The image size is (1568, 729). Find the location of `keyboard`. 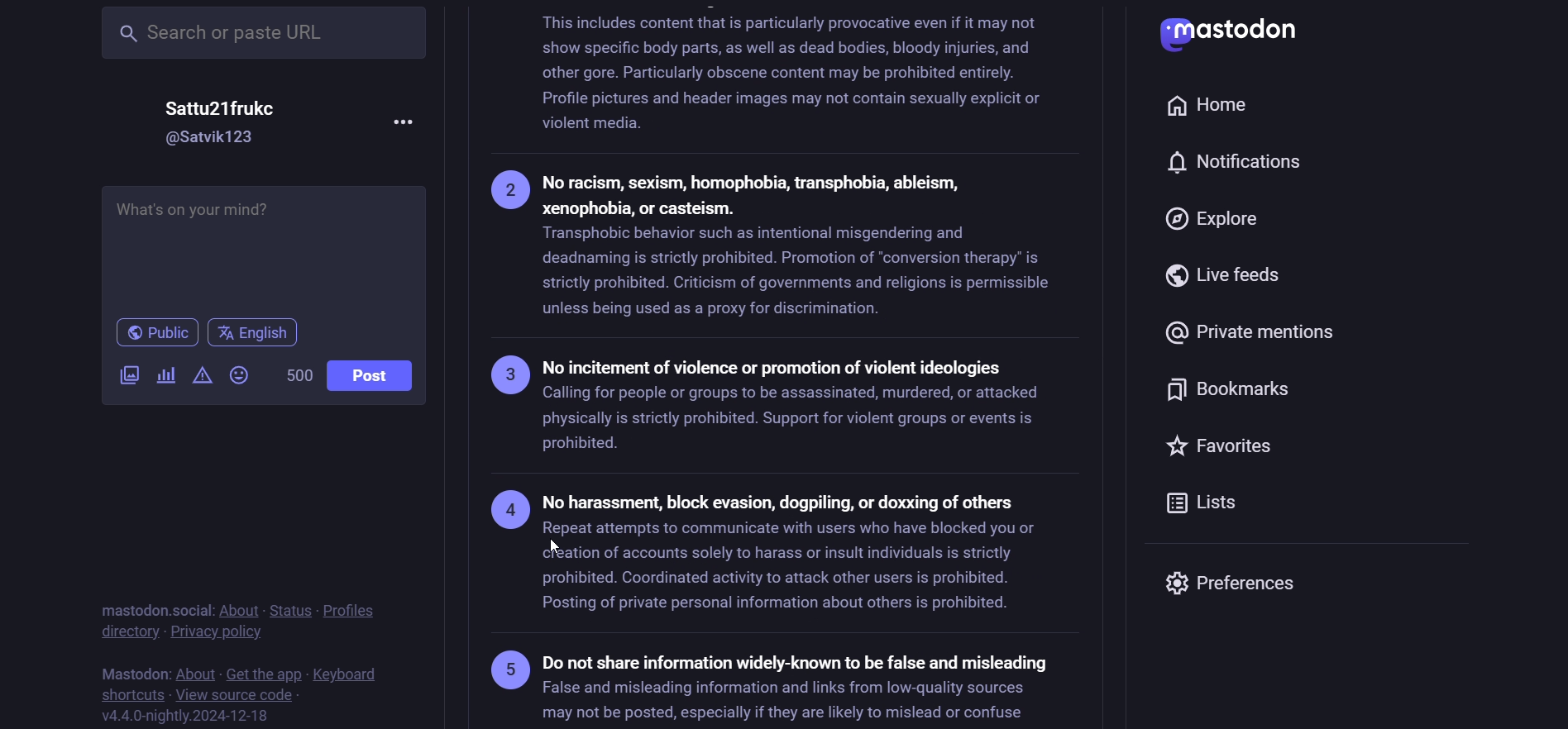

keyboard is located at coordinates (350, 674).